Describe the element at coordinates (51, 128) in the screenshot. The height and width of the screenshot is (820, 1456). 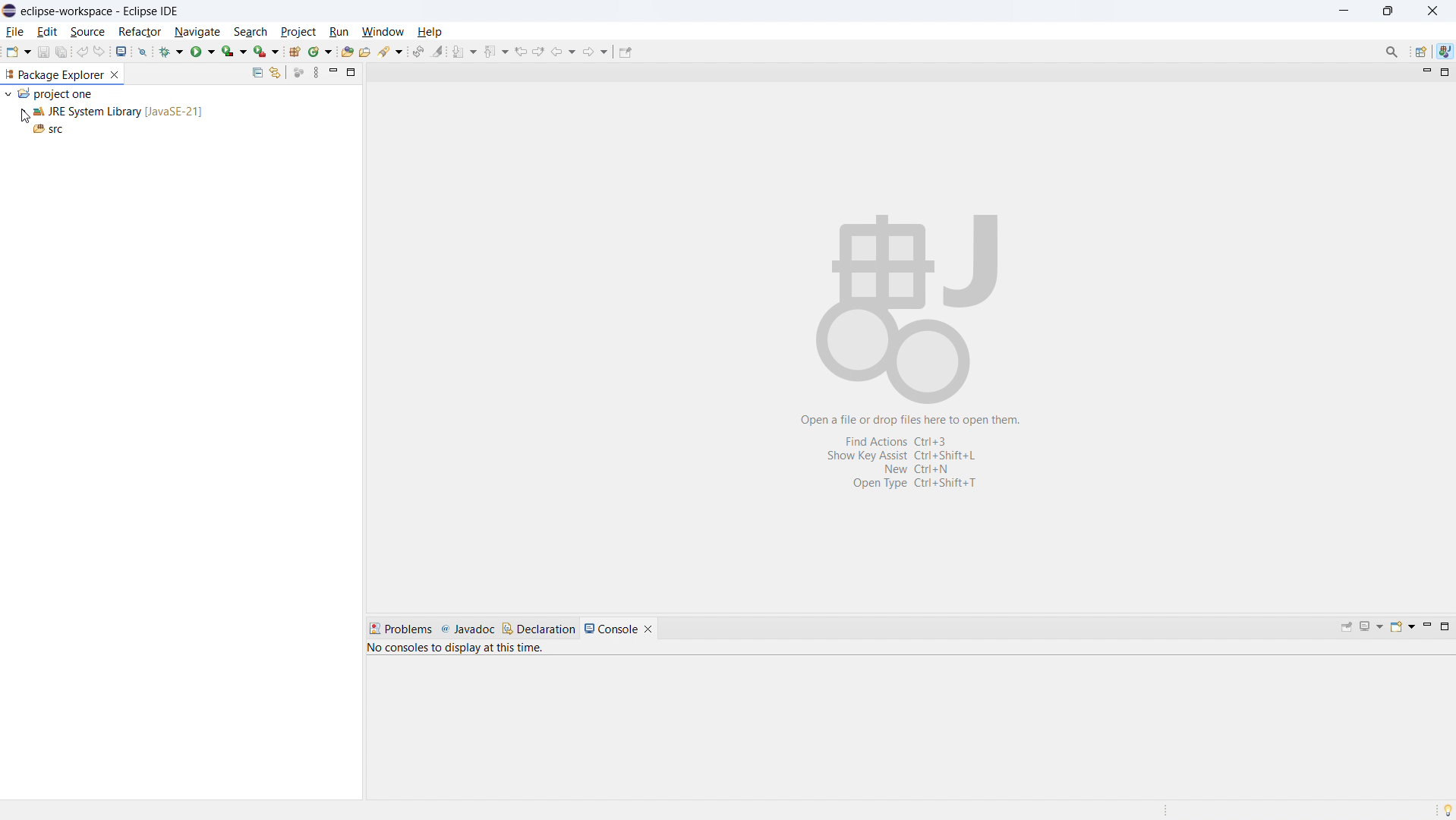
I see `src` at that location.